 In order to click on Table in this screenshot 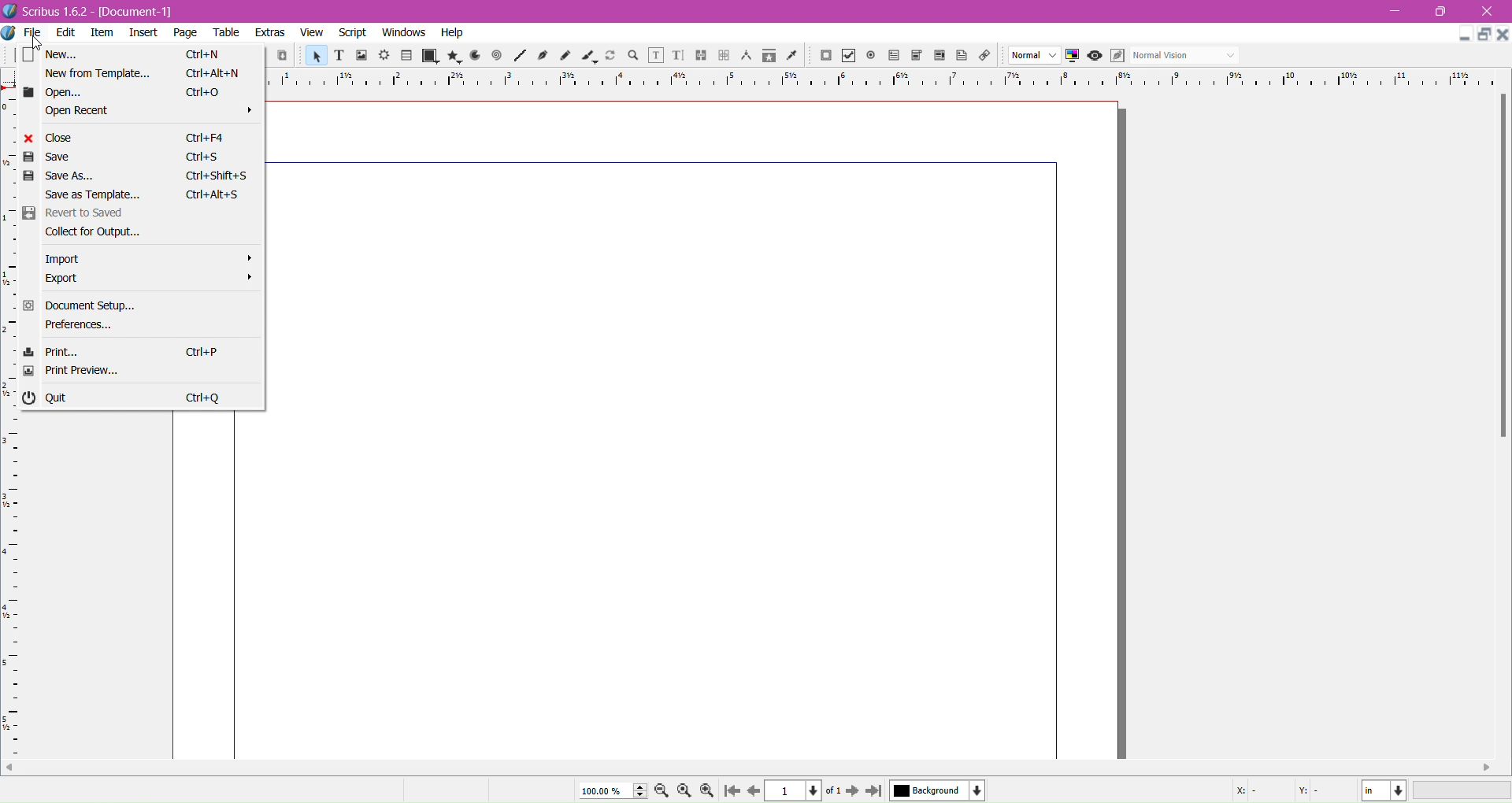, I will do `click(225, 33)`.